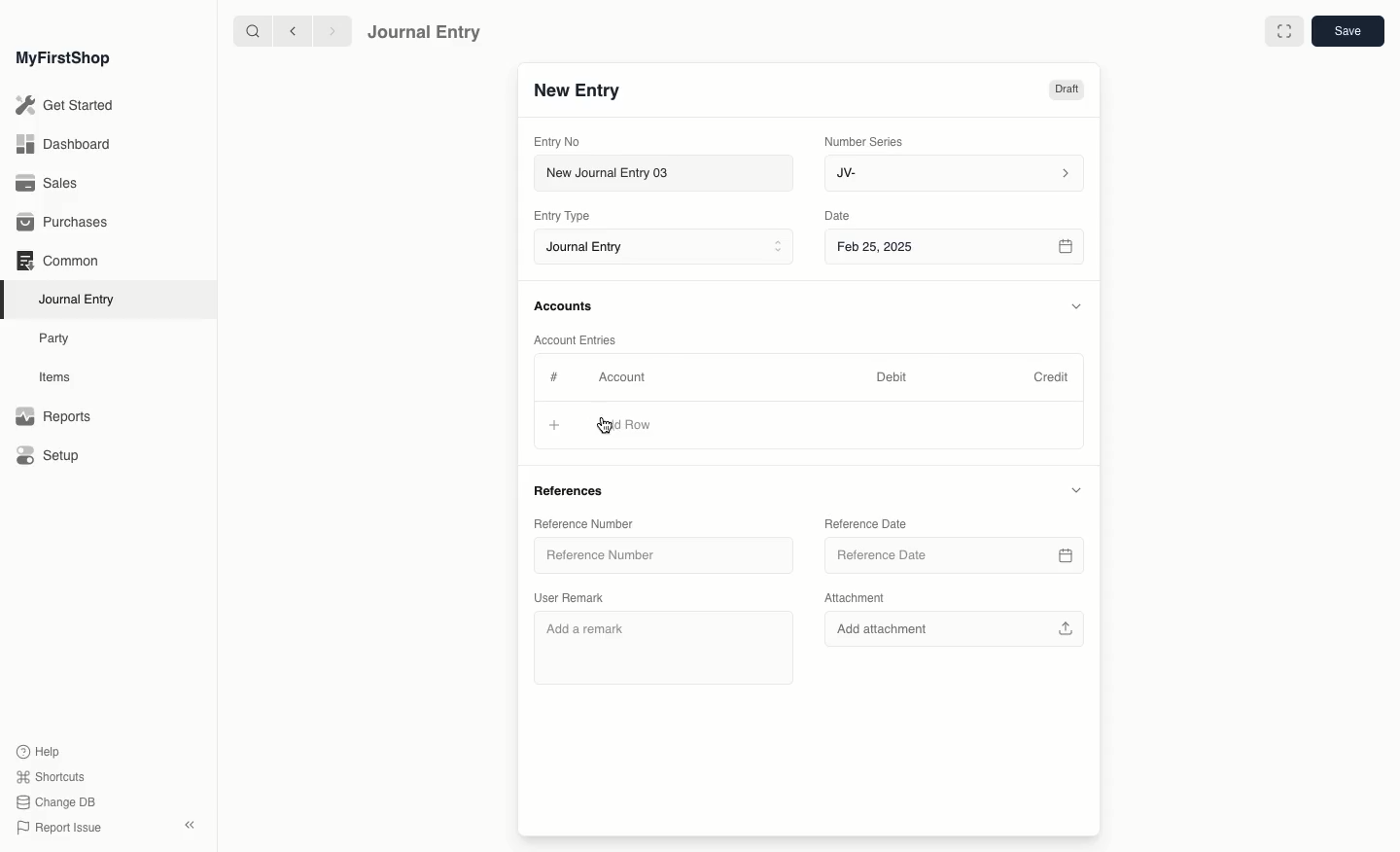  What do you see at coordinates (558, 427) in the screenshot?
I see `Add` at bounding box center [558, 427].